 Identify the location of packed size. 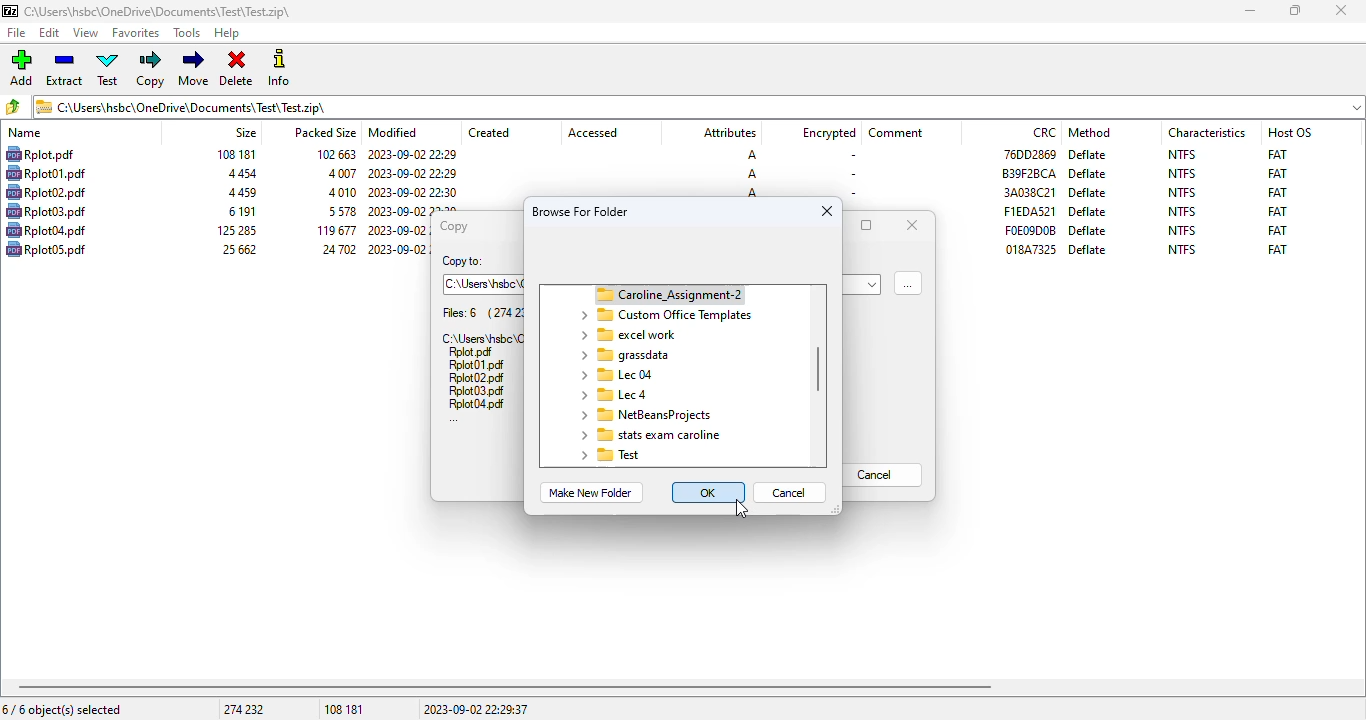
(324, 131).